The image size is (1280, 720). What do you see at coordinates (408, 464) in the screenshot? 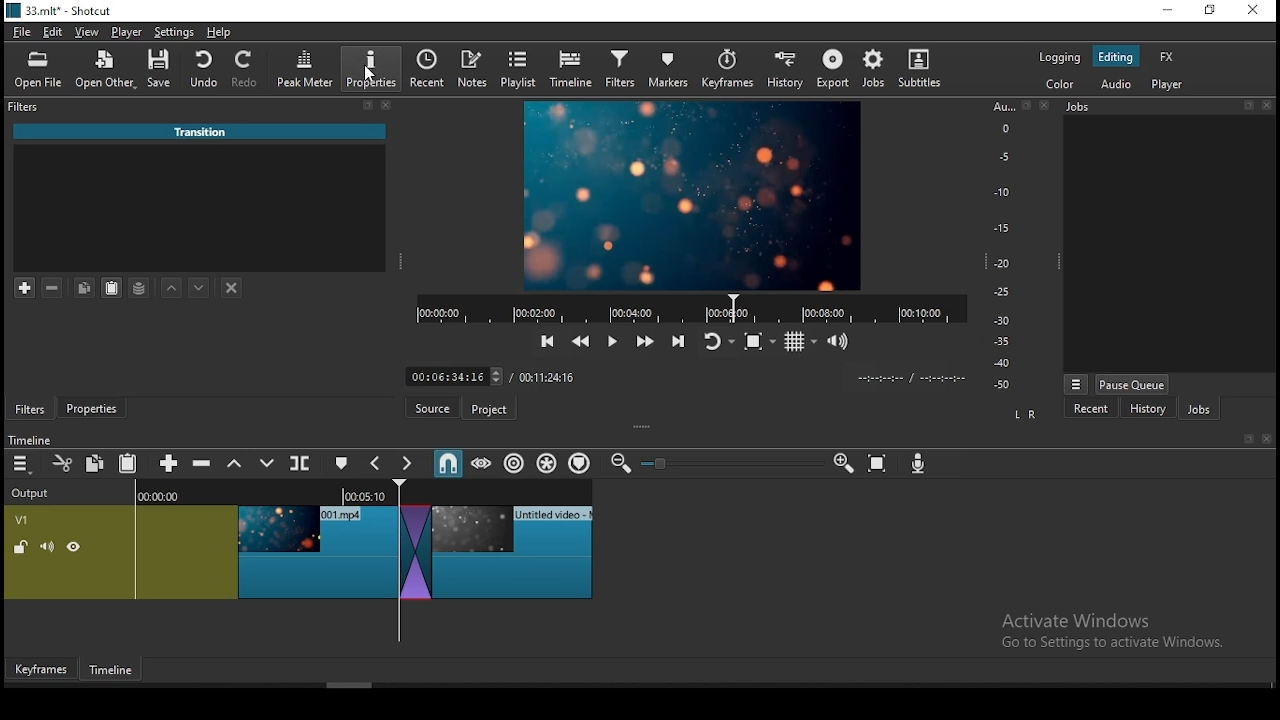
I see `next marker` at bounding box center [408, 464].